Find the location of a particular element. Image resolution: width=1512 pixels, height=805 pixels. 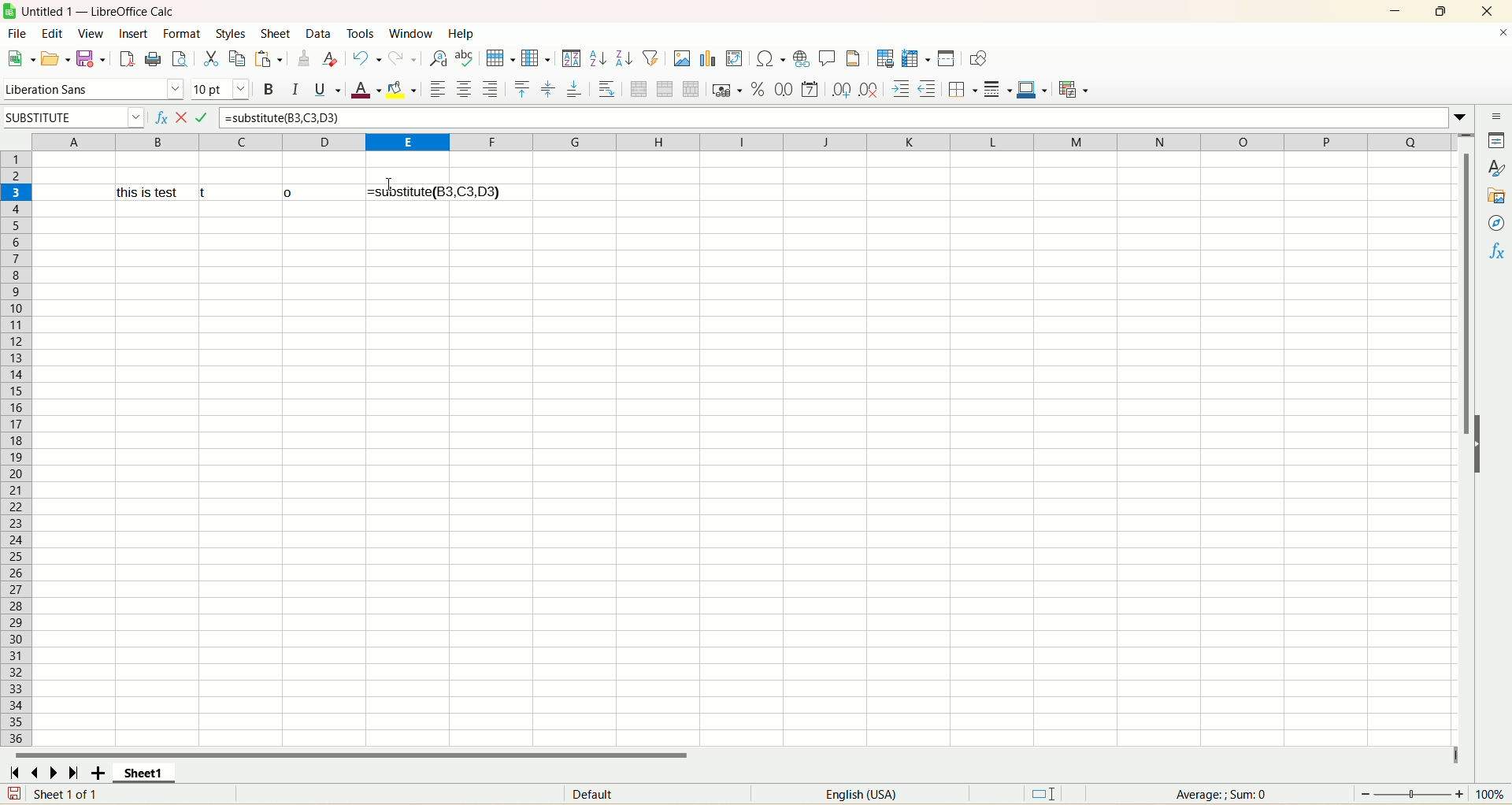

row is located at coordinates (502, 57).